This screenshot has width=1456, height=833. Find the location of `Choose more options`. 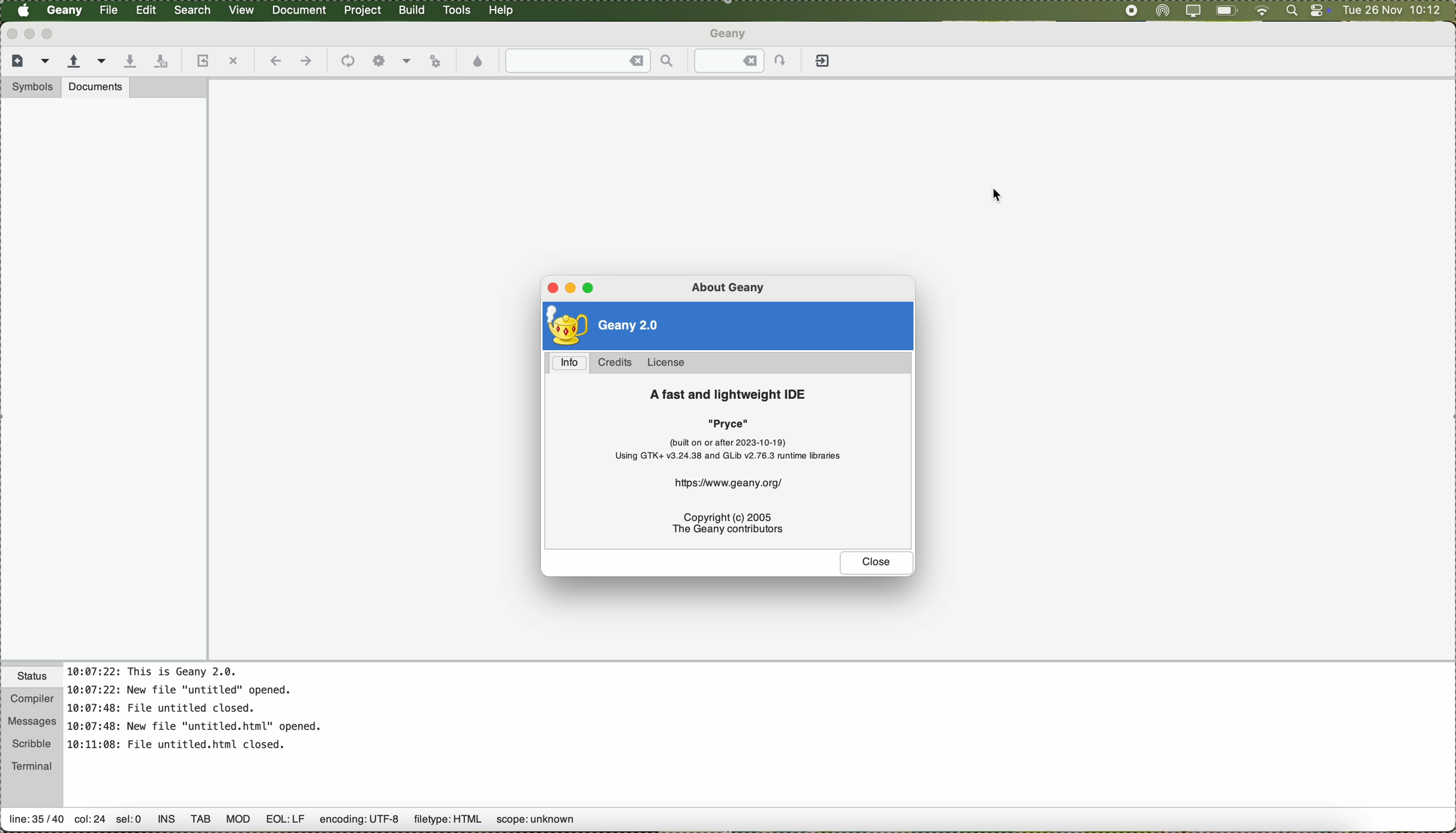

Choose more options is located at coordinates (408, 61).